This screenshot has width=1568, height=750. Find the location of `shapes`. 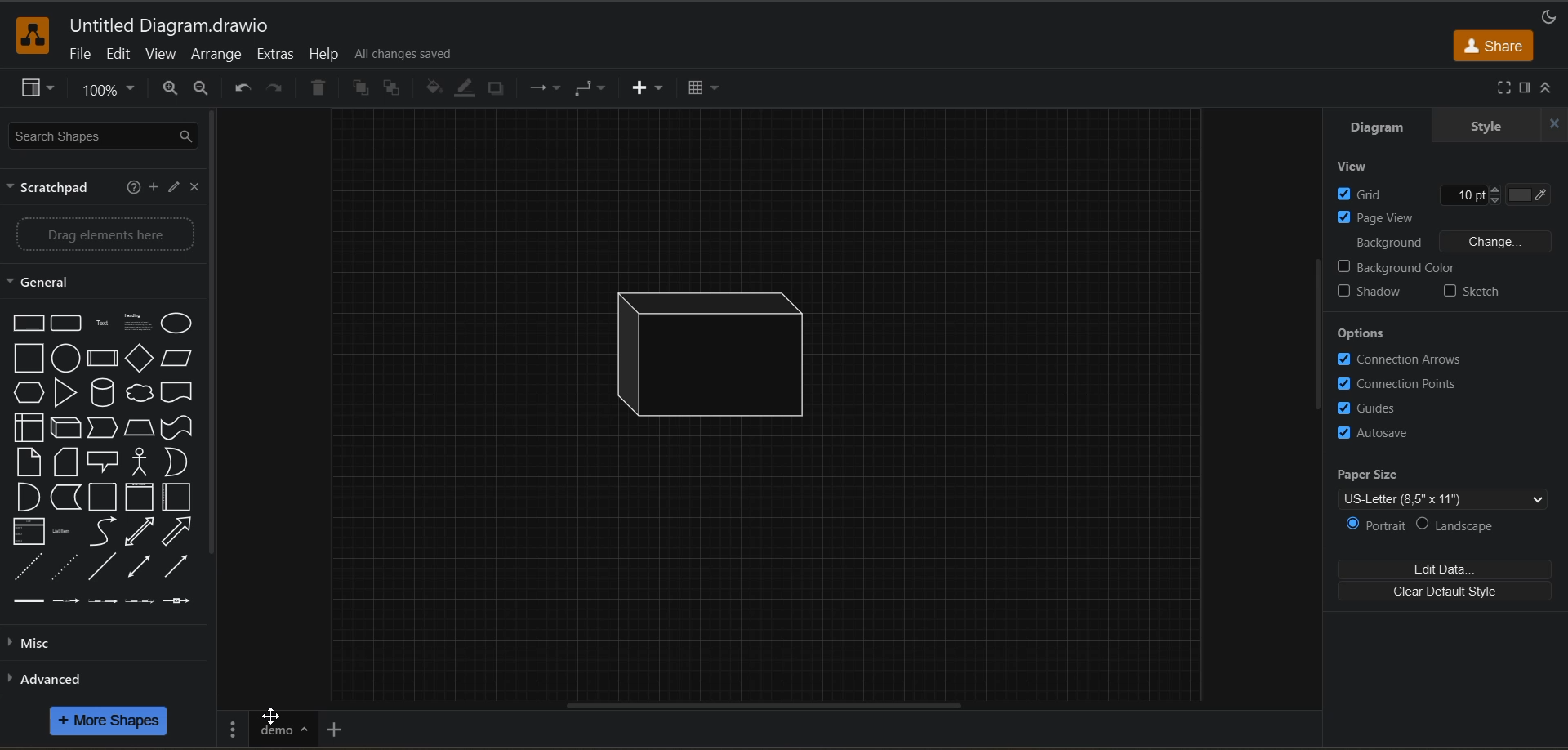

shapes is located at coordinates (101, 460).